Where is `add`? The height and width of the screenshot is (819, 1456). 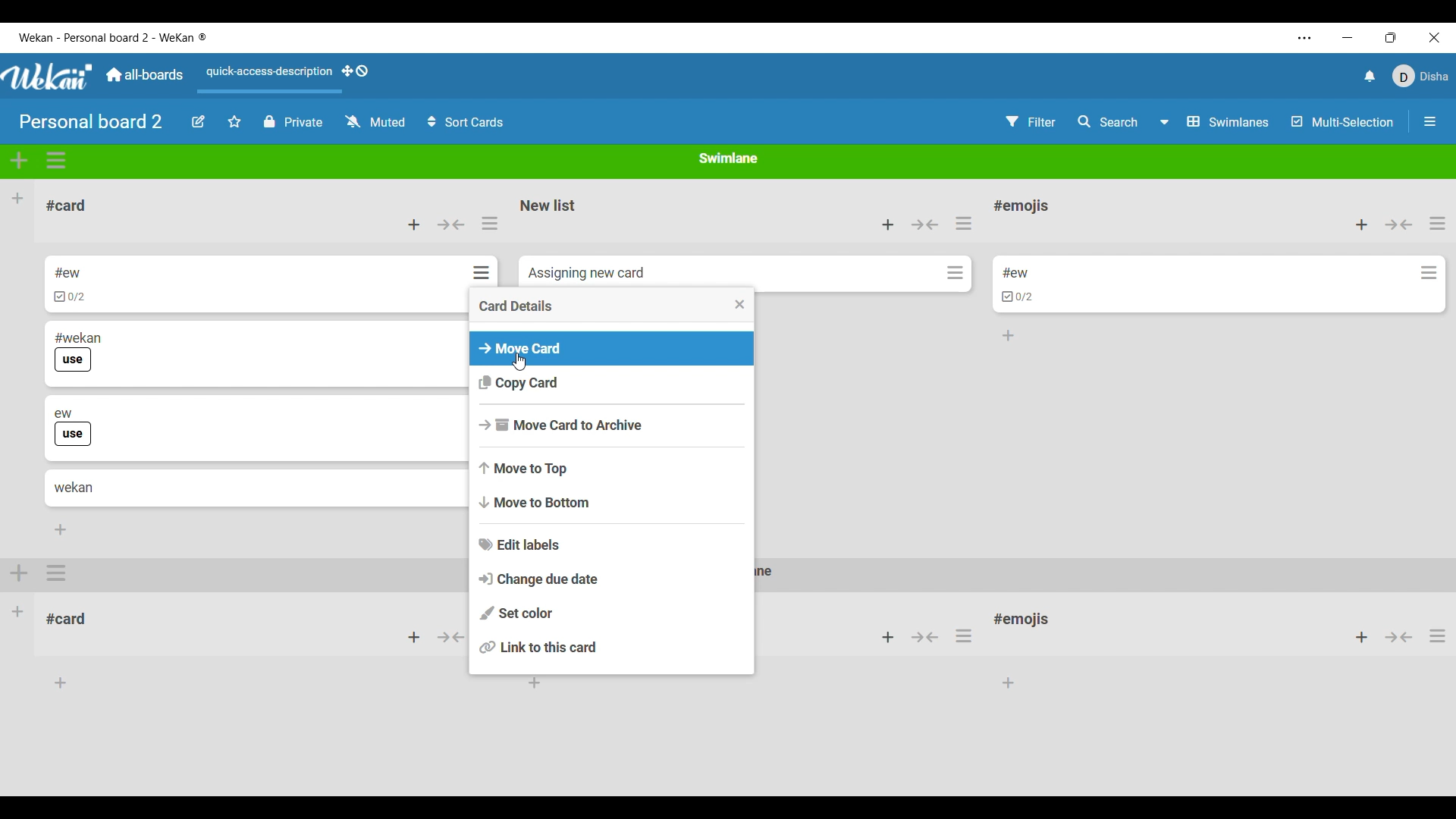 add is located at coordinates (884, 638).